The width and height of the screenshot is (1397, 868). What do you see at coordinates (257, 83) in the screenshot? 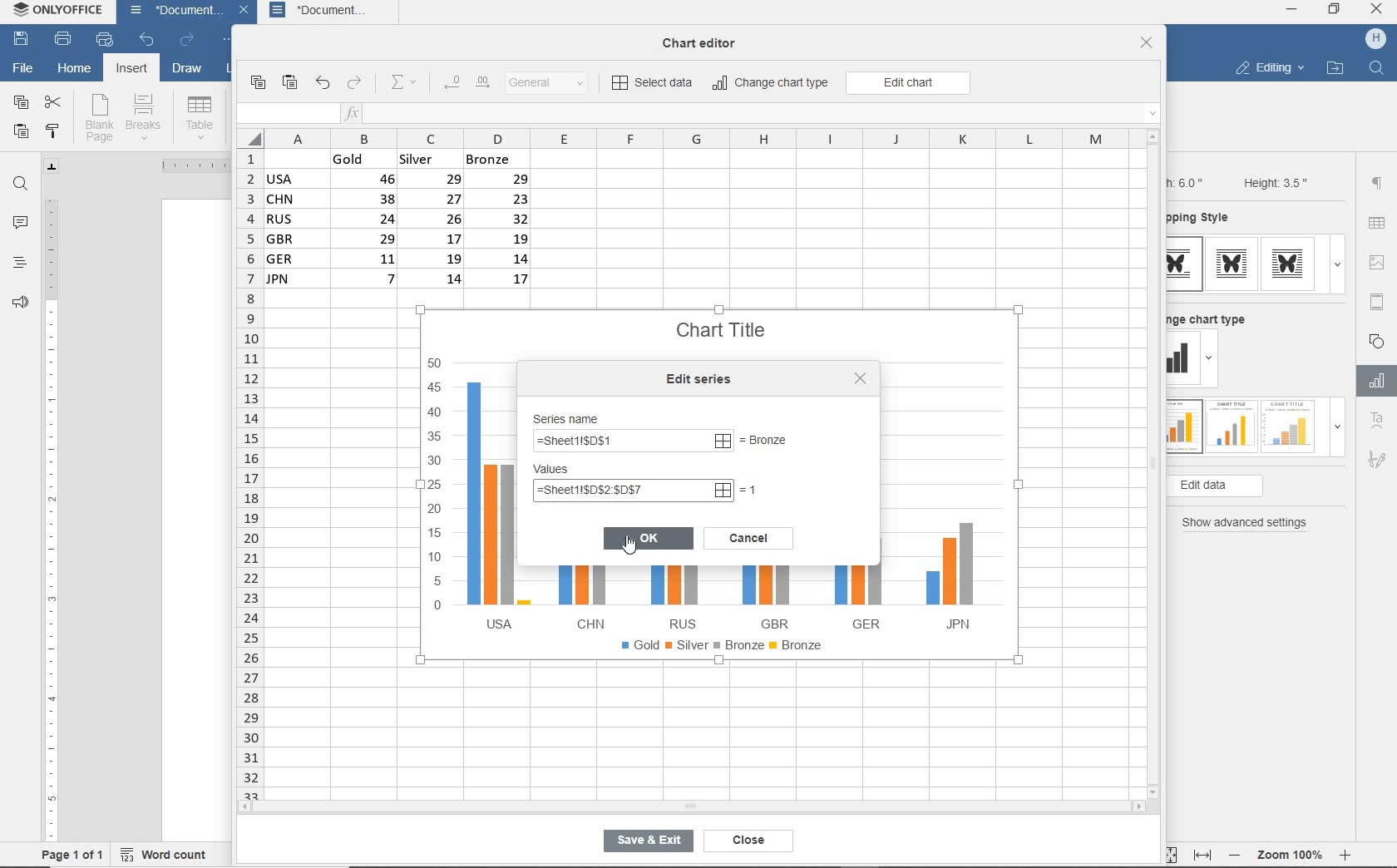
I see `copy` at bounding box center [257, 83].